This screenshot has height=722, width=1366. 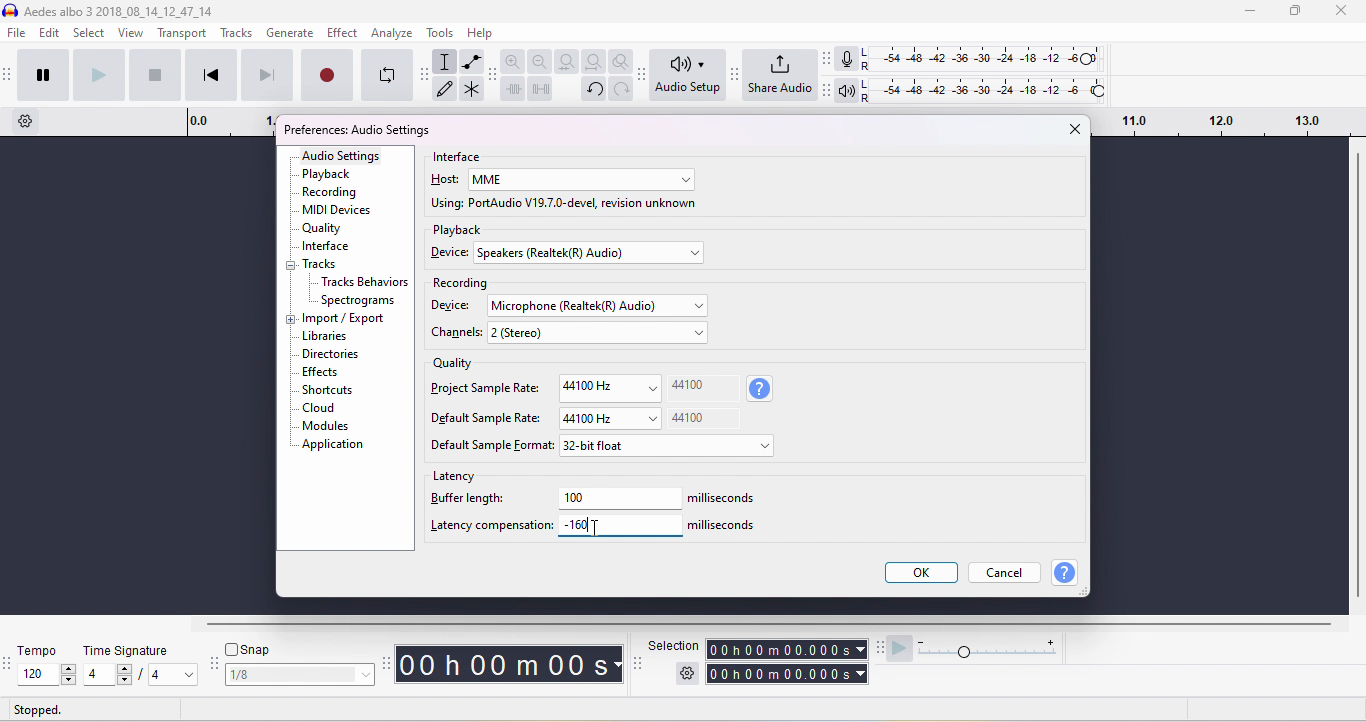 What do you see at coordinates (459, 284) in the screenshot?
I see `recording` at bounding box center [459, 284].